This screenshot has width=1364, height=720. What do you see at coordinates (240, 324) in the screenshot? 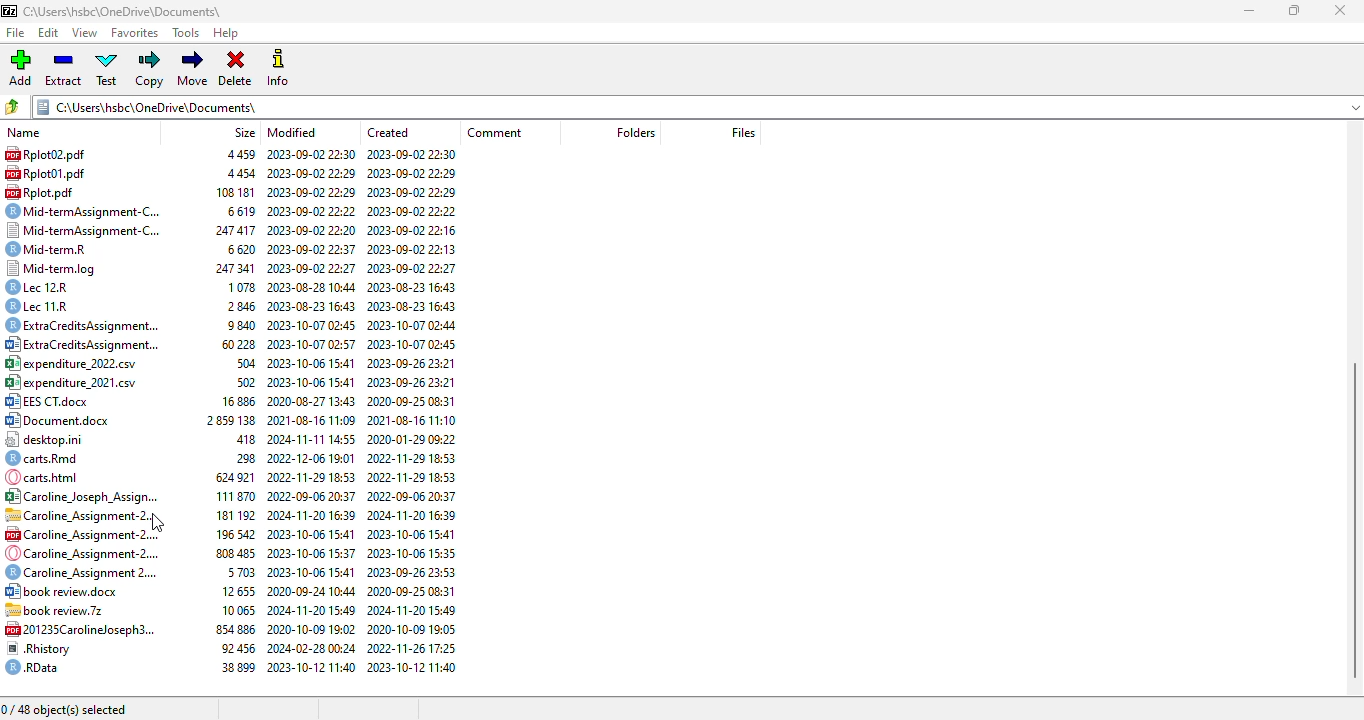
I see `9840` at bounding box center [240, 324].